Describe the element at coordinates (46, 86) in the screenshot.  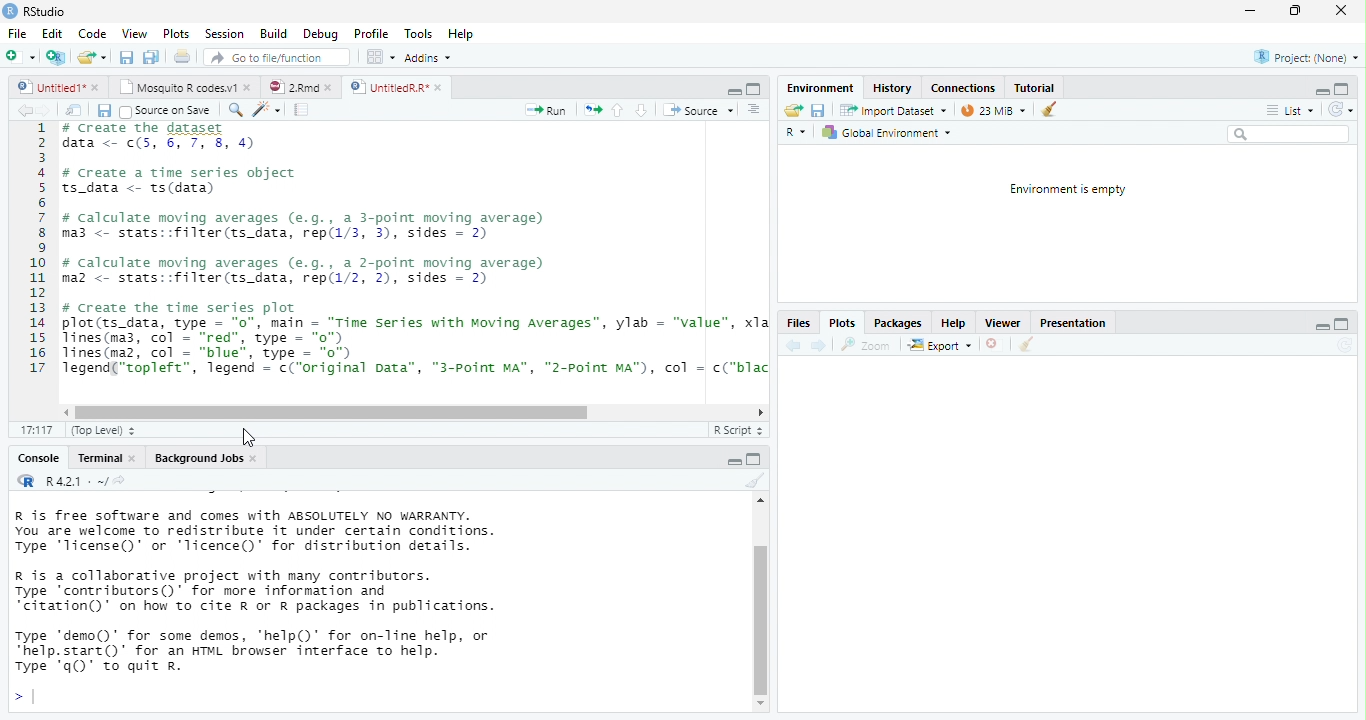
I see `untitled 1` at that location.